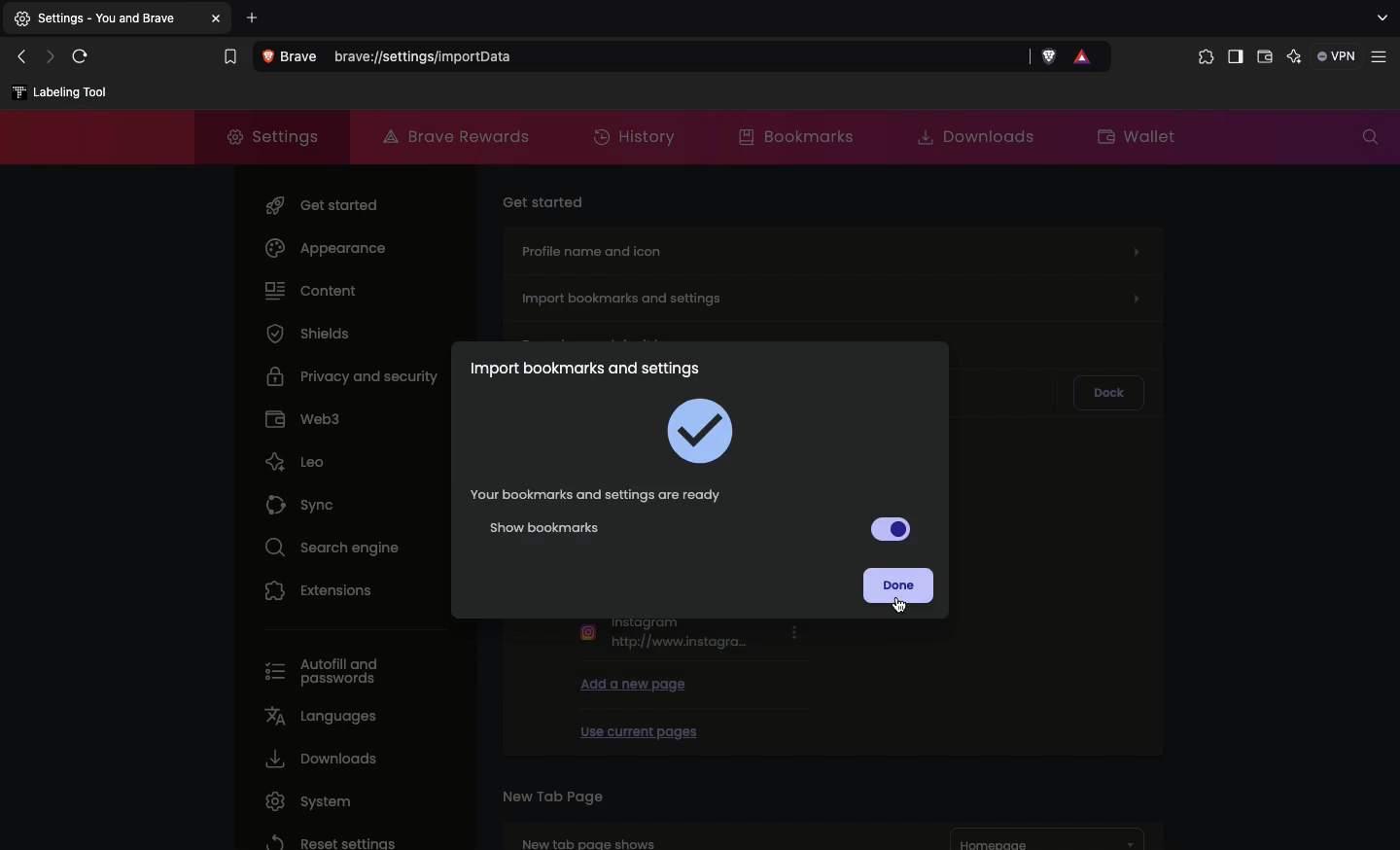  What do you see at coordinates (1382, 57) in the screenshot?
I see `Customize and control brave` at bounding box center [1382, 57].